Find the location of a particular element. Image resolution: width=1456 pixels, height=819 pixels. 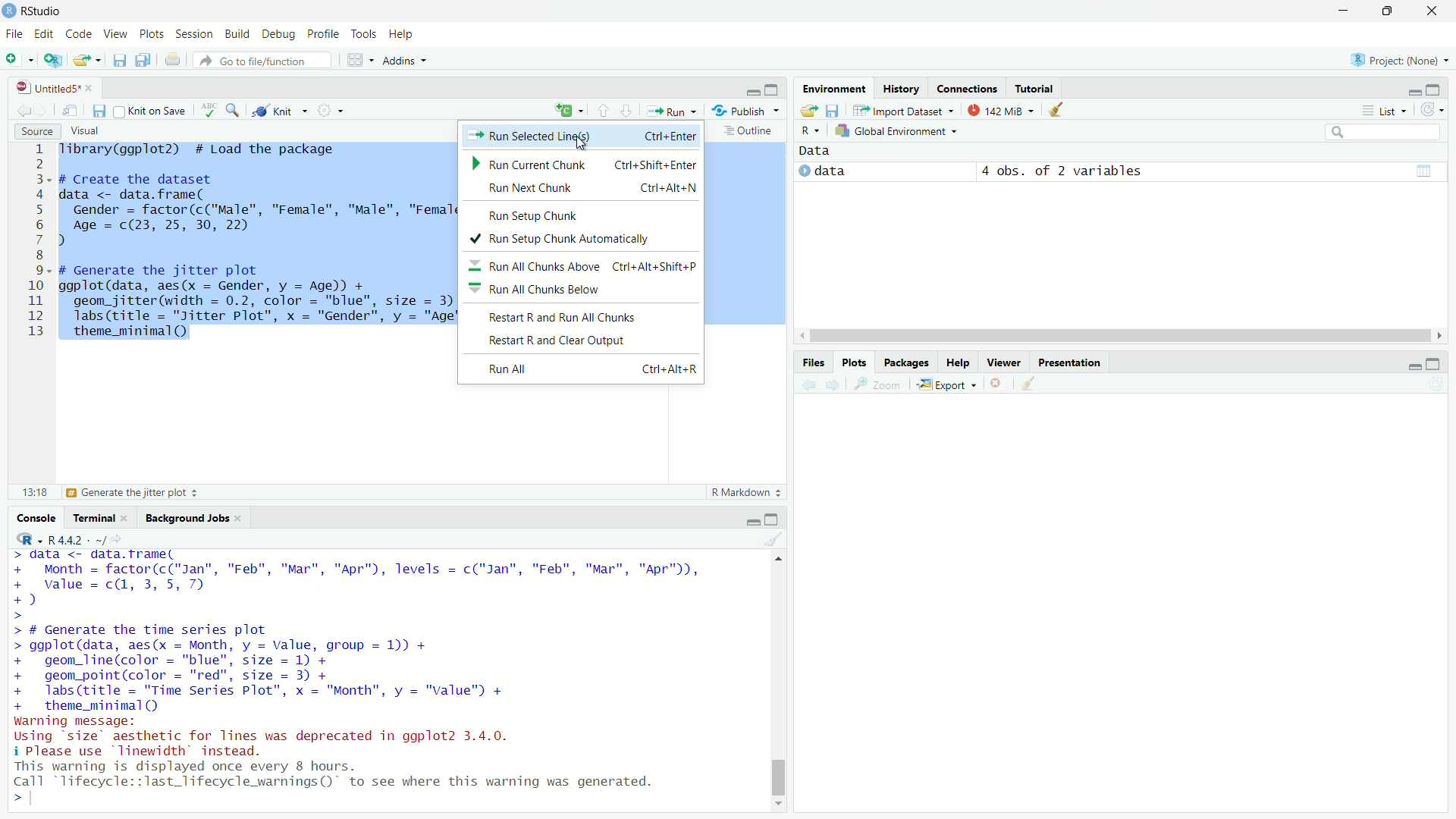

find/replace is located at coordinates (234, 110).